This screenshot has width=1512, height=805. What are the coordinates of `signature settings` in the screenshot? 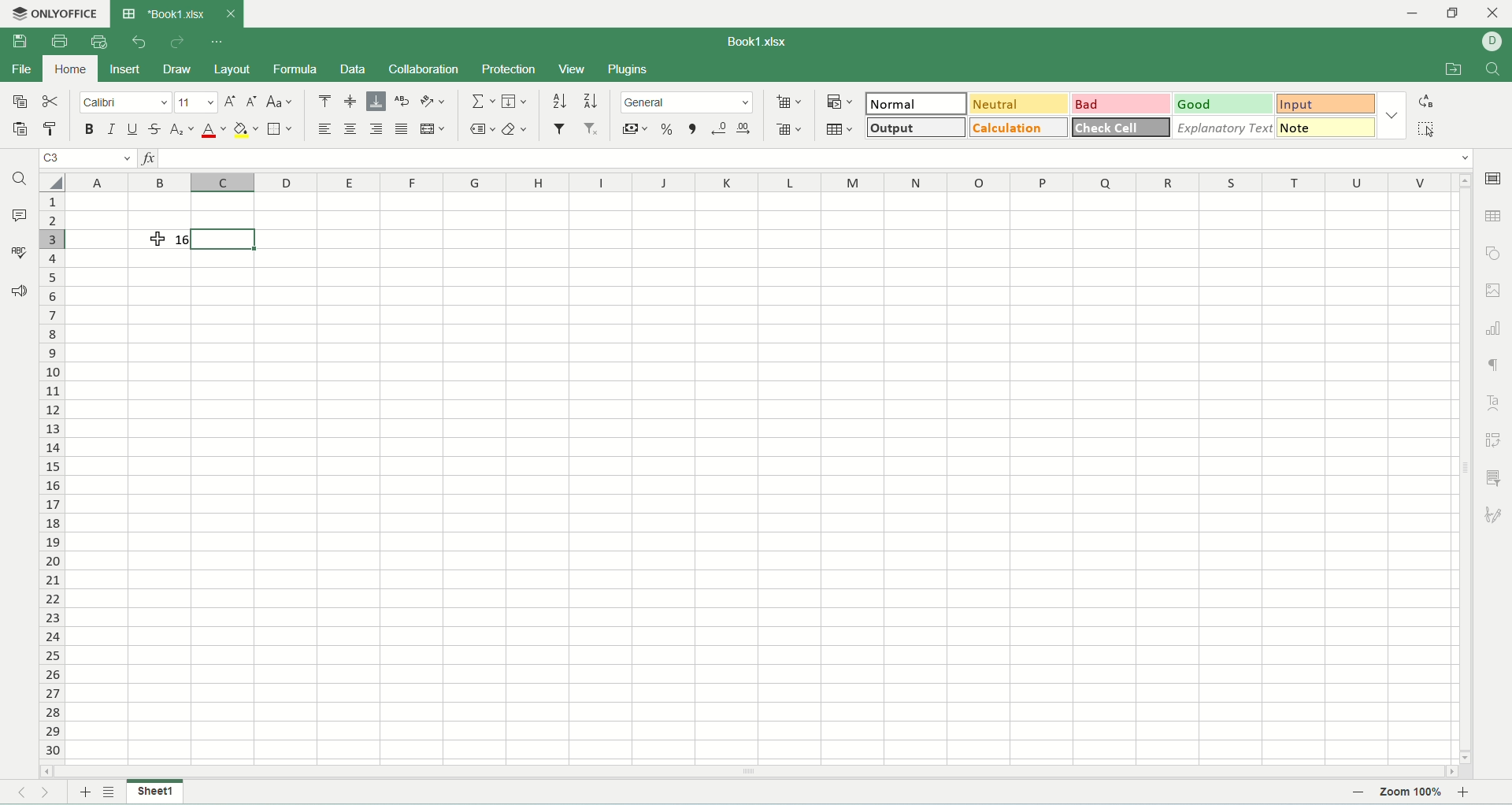 It's located at (1495, 514).